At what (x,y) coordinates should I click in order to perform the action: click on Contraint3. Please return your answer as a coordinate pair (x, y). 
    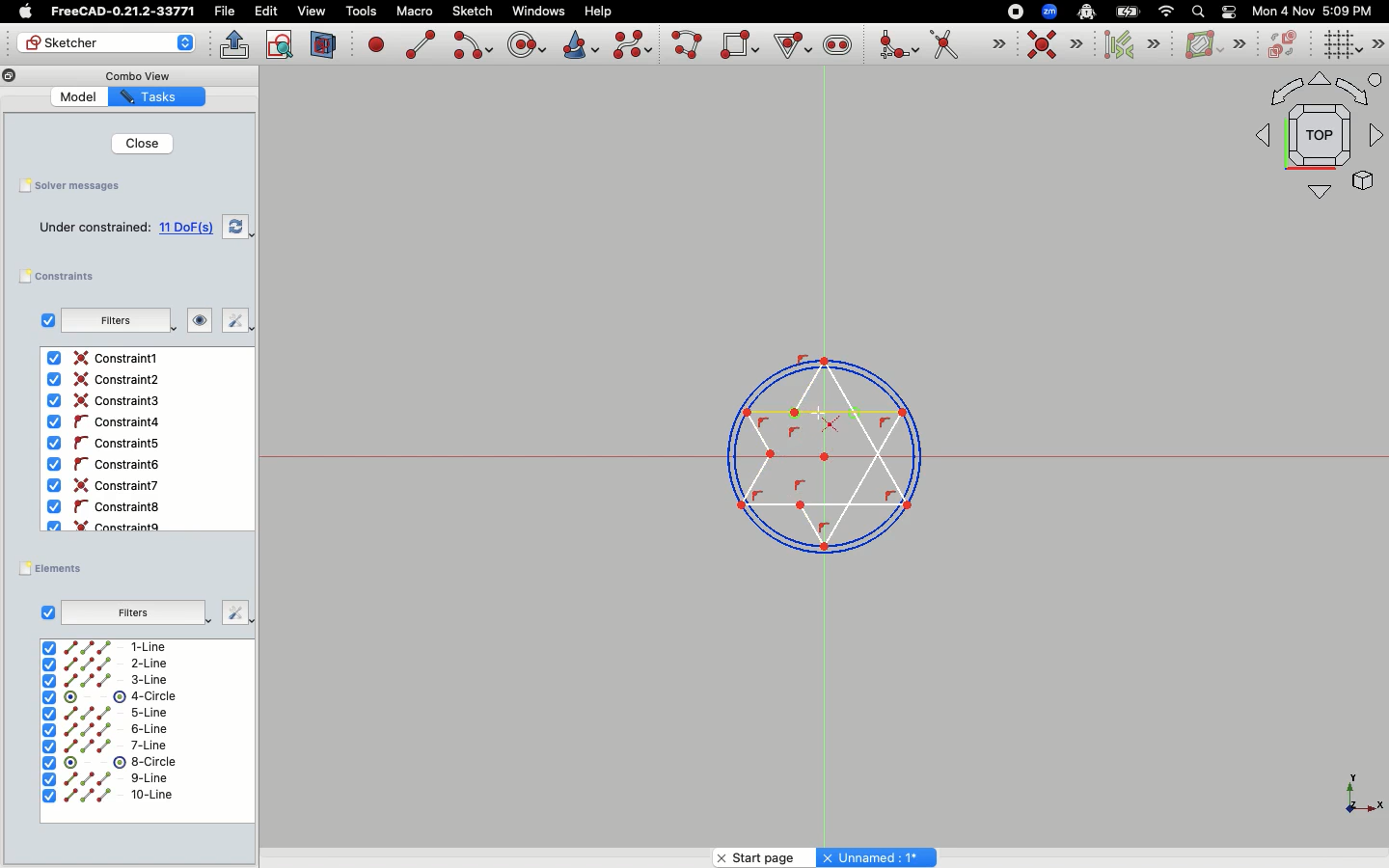
    Looking at the image, I should click on (107, 401).